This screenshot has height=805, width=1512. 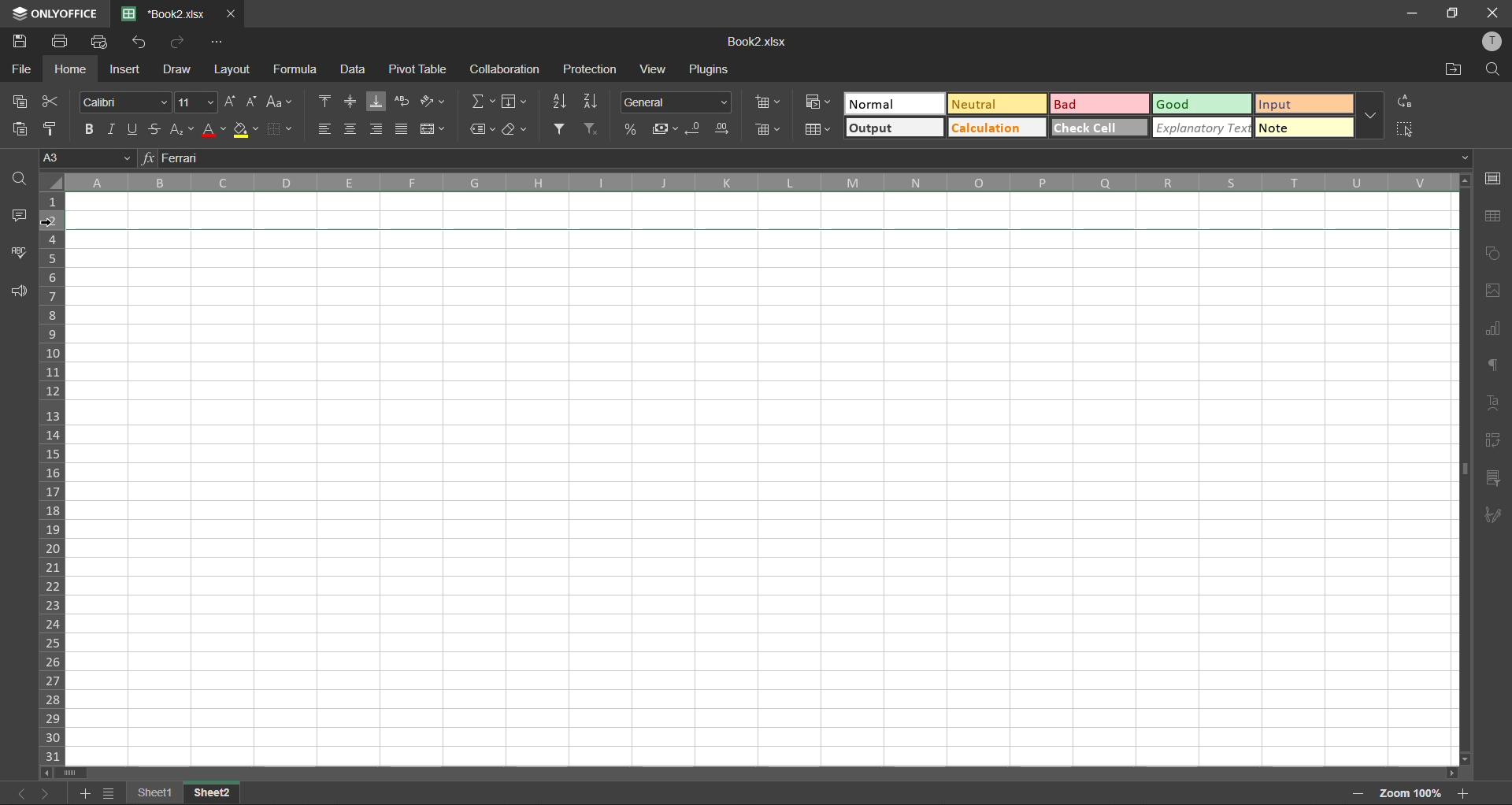 What do you see at coordinates (20, 130) in the screenshot?
I see `paste` at bounding box center [20, 130].